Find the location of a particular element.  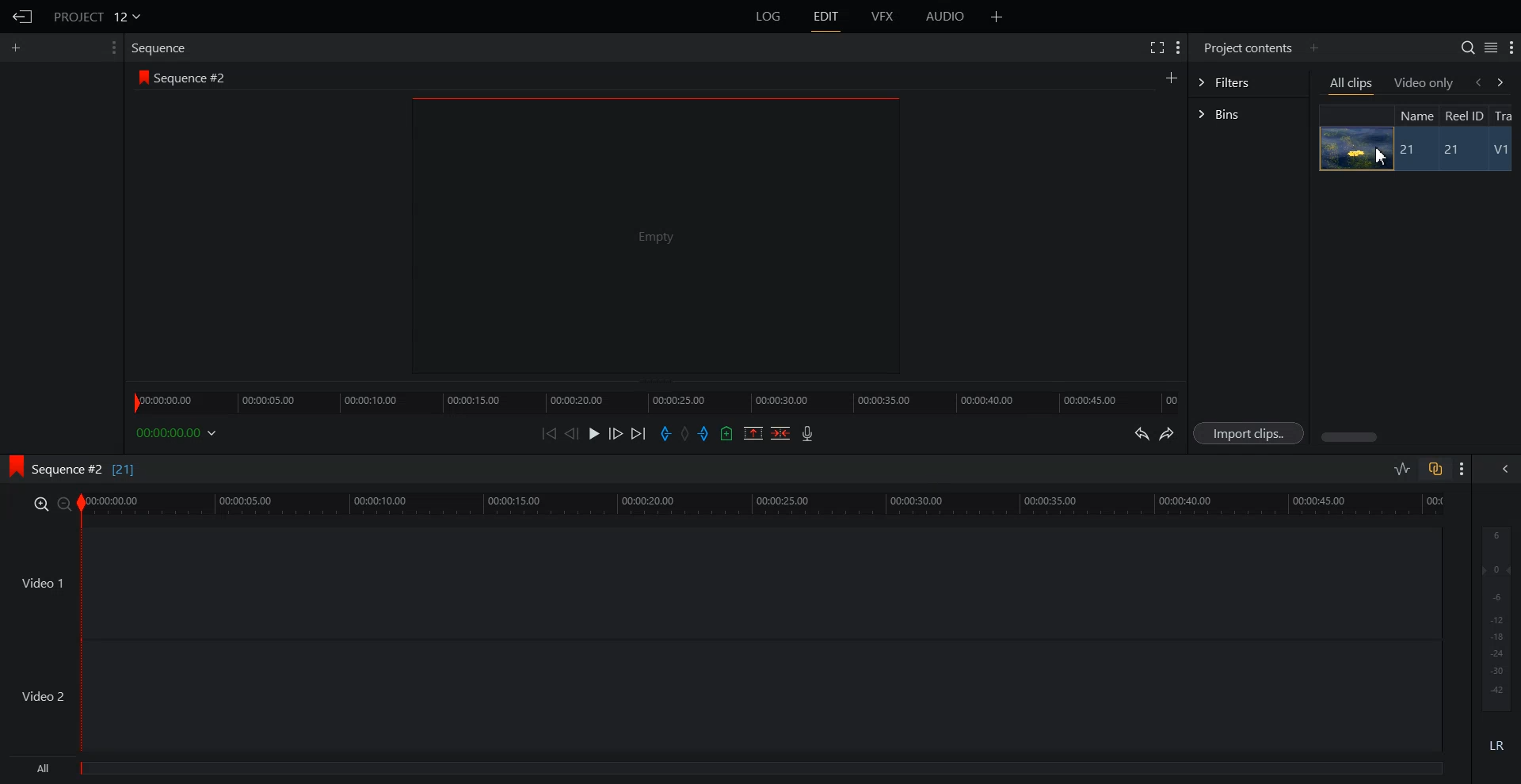

Record Audio is located at coordinates (806, 433).